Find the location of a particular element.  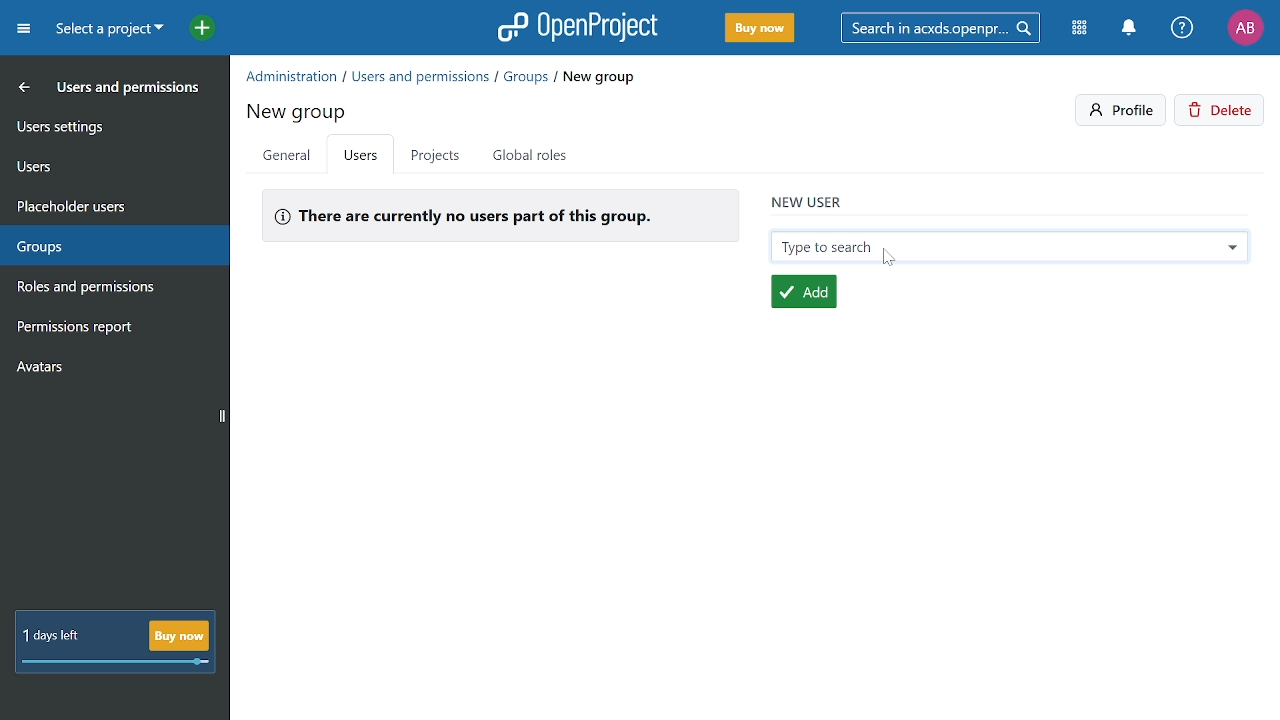

Projects is located at coordinates (434, 155).